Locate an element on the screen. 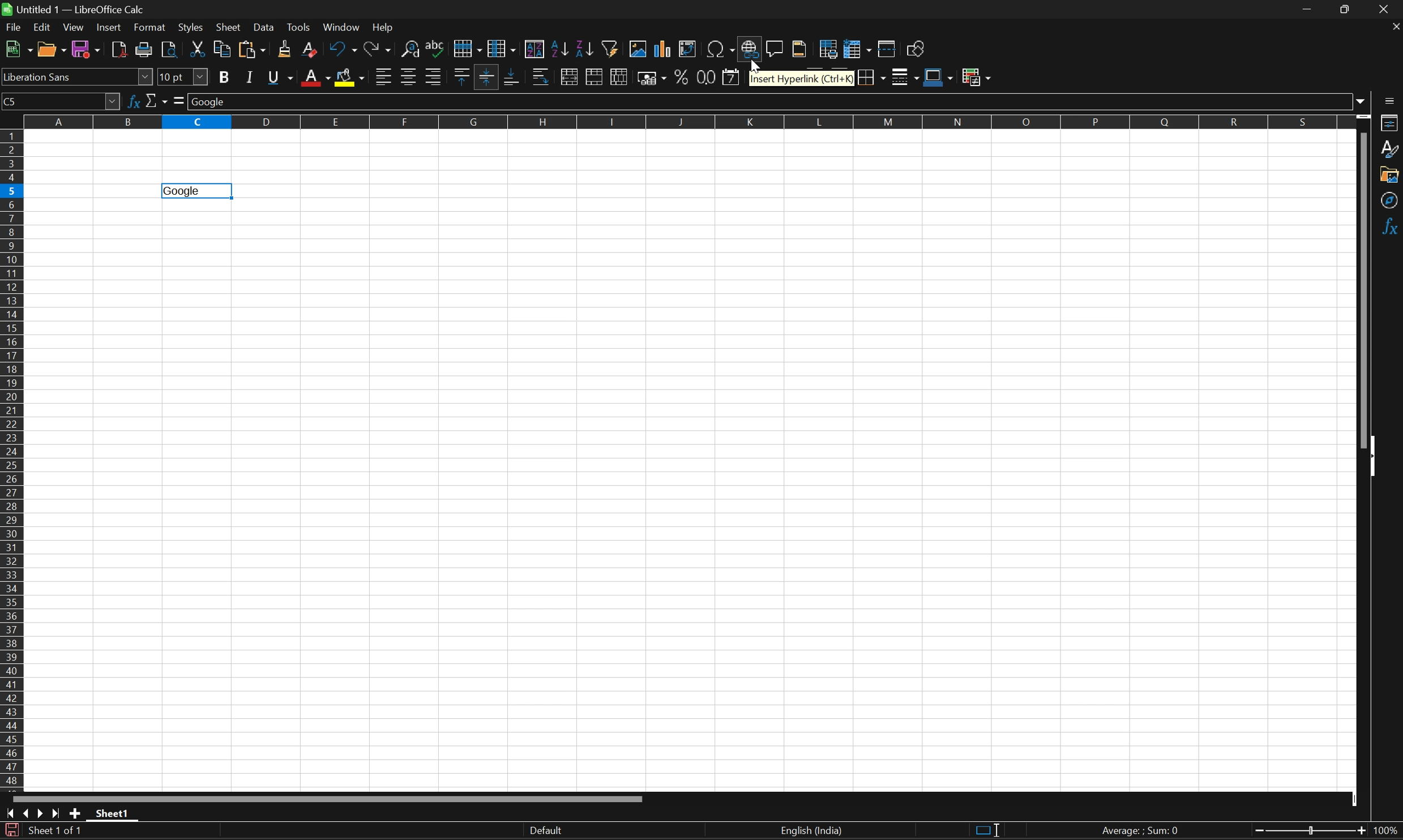  Google is located at coordinates (208, 101).